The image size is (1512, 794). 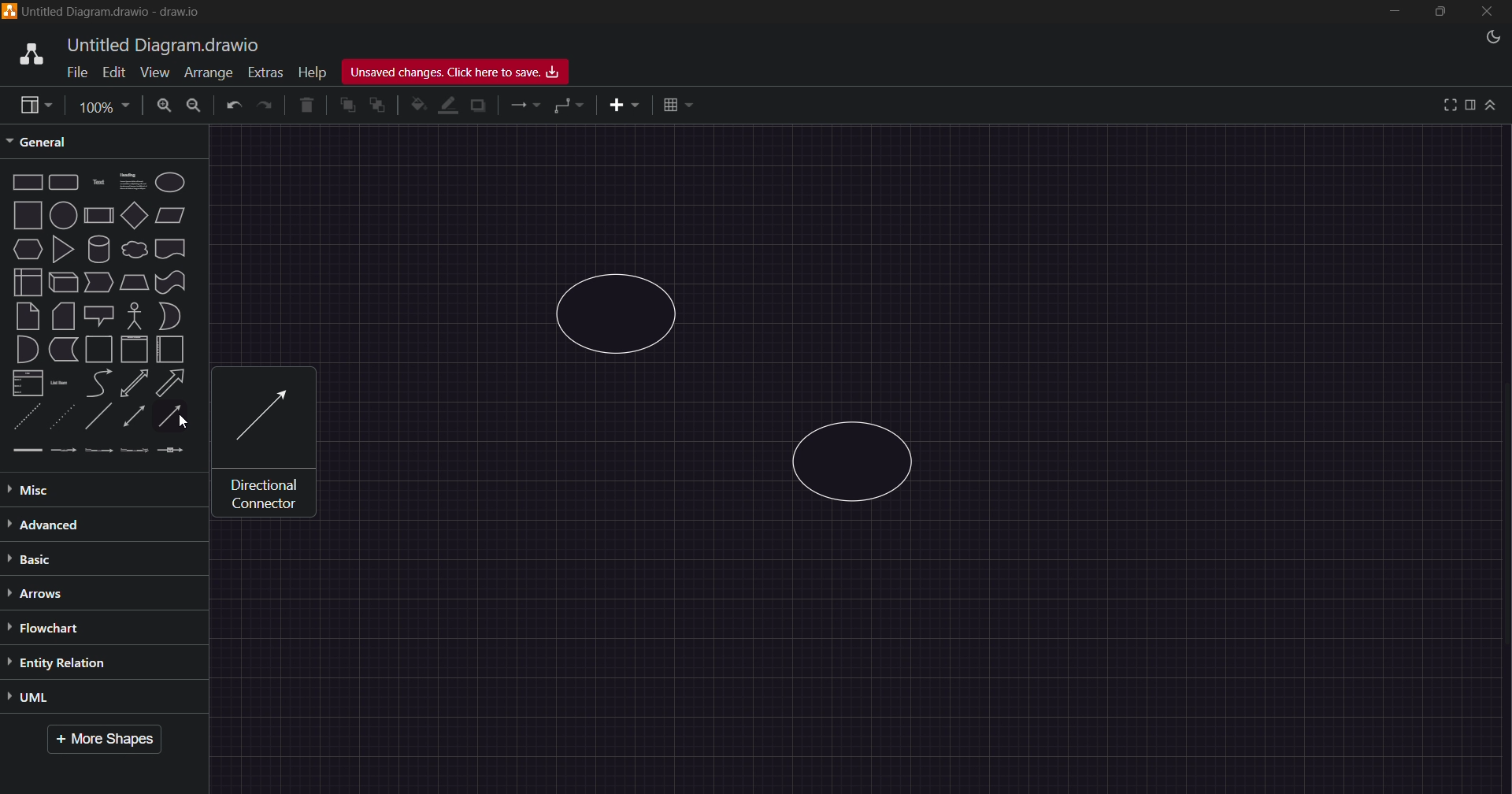 I want to click on Help, so click(x=312, y=69).